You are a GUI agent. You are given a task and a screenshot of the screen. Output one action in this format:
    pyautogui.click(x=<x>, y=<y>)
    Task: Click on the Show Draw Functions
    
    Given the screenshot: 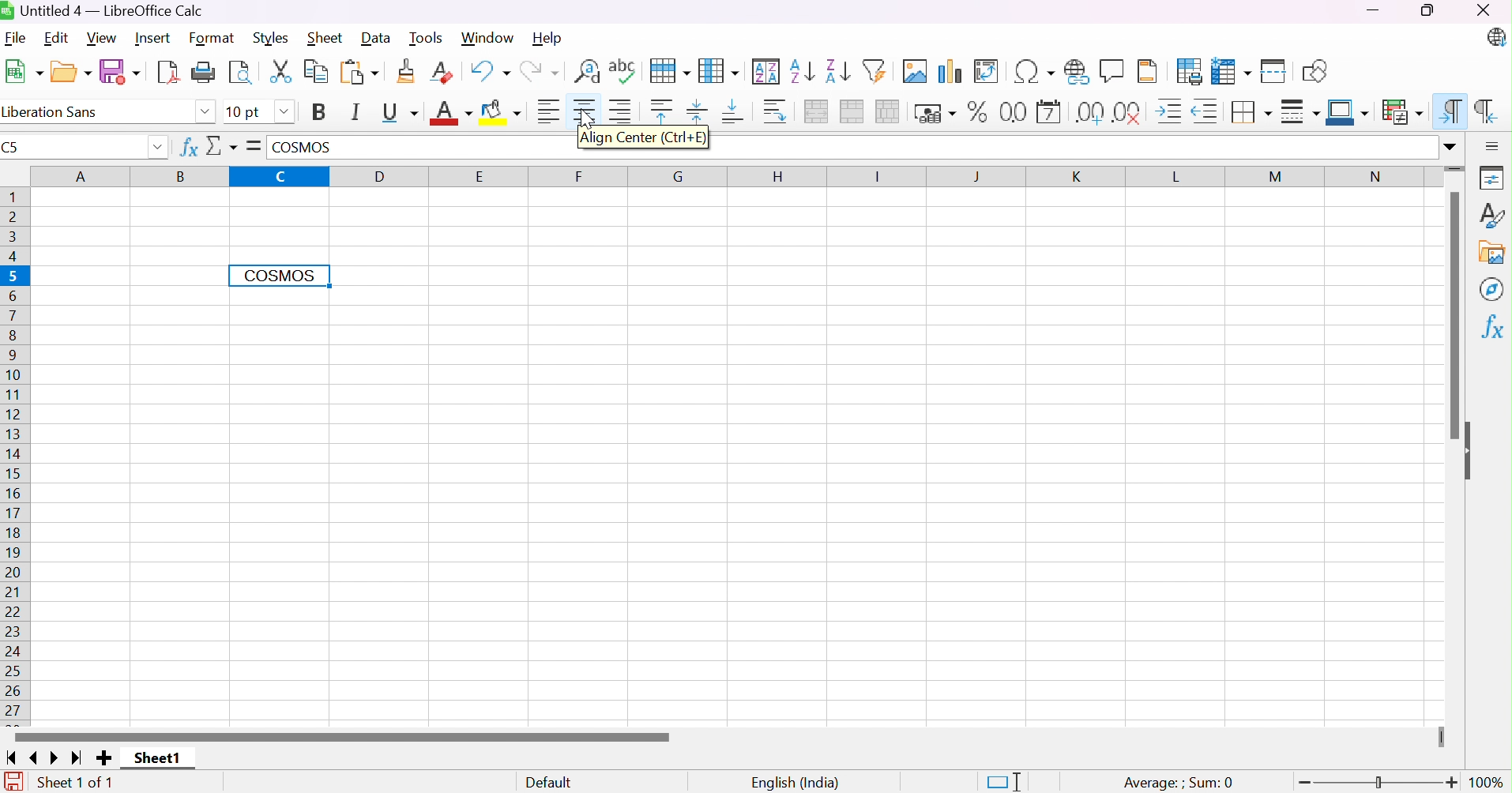 What is the action you would take?
    pyautogui.click(x=1316, y=73)
    